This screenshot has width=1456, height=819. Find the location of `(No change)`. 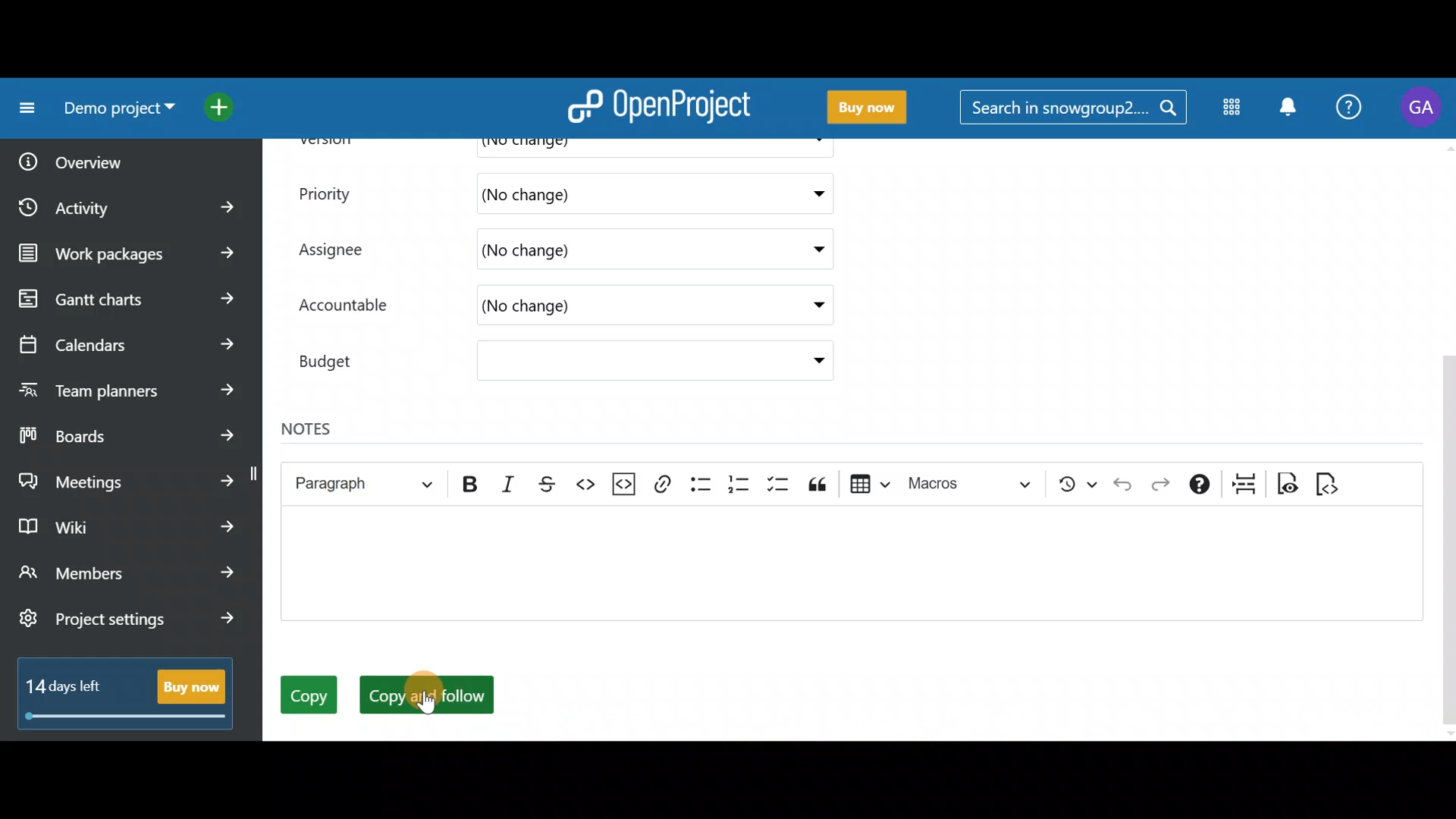

(No change) is located at coordinates (620, 190).